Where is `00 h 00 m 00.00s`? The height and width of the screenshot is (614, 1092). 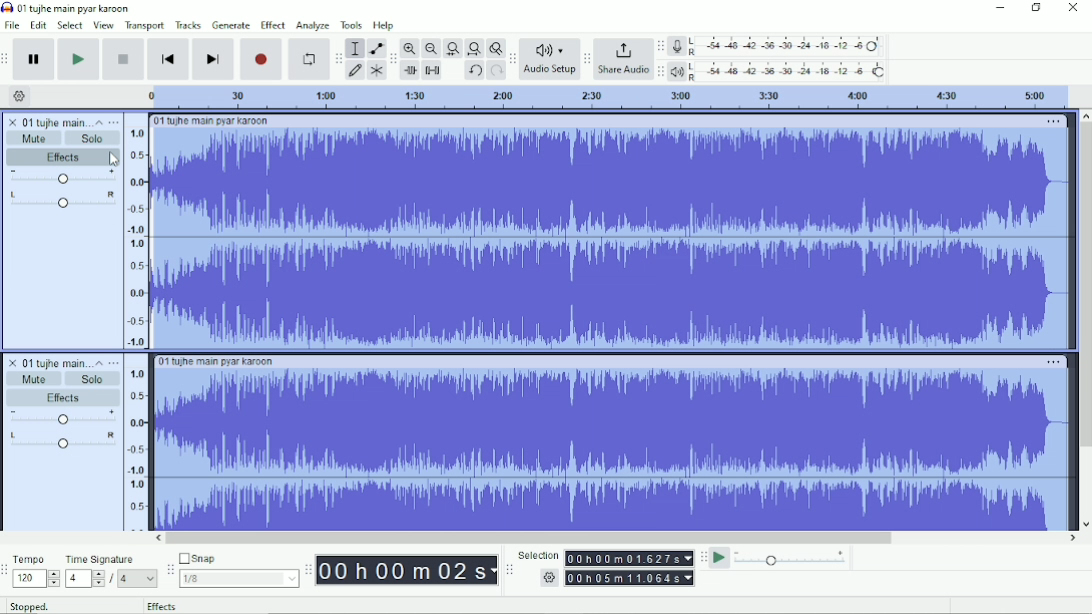 00 h 00 m 00.00s is located at coordinates (407, 571).